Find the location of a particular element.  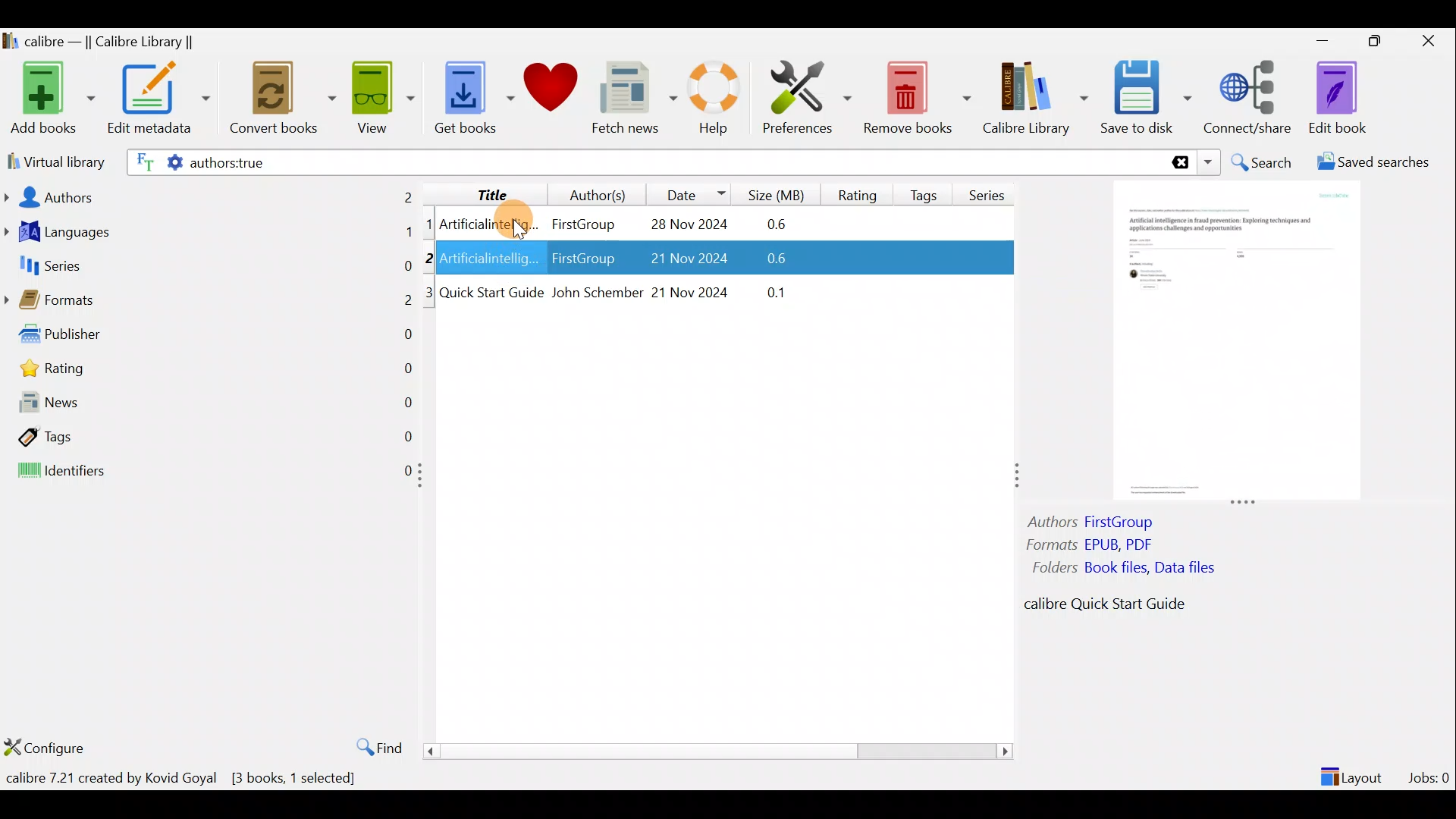

Artificial intellig is located at coordinates (491, 260).